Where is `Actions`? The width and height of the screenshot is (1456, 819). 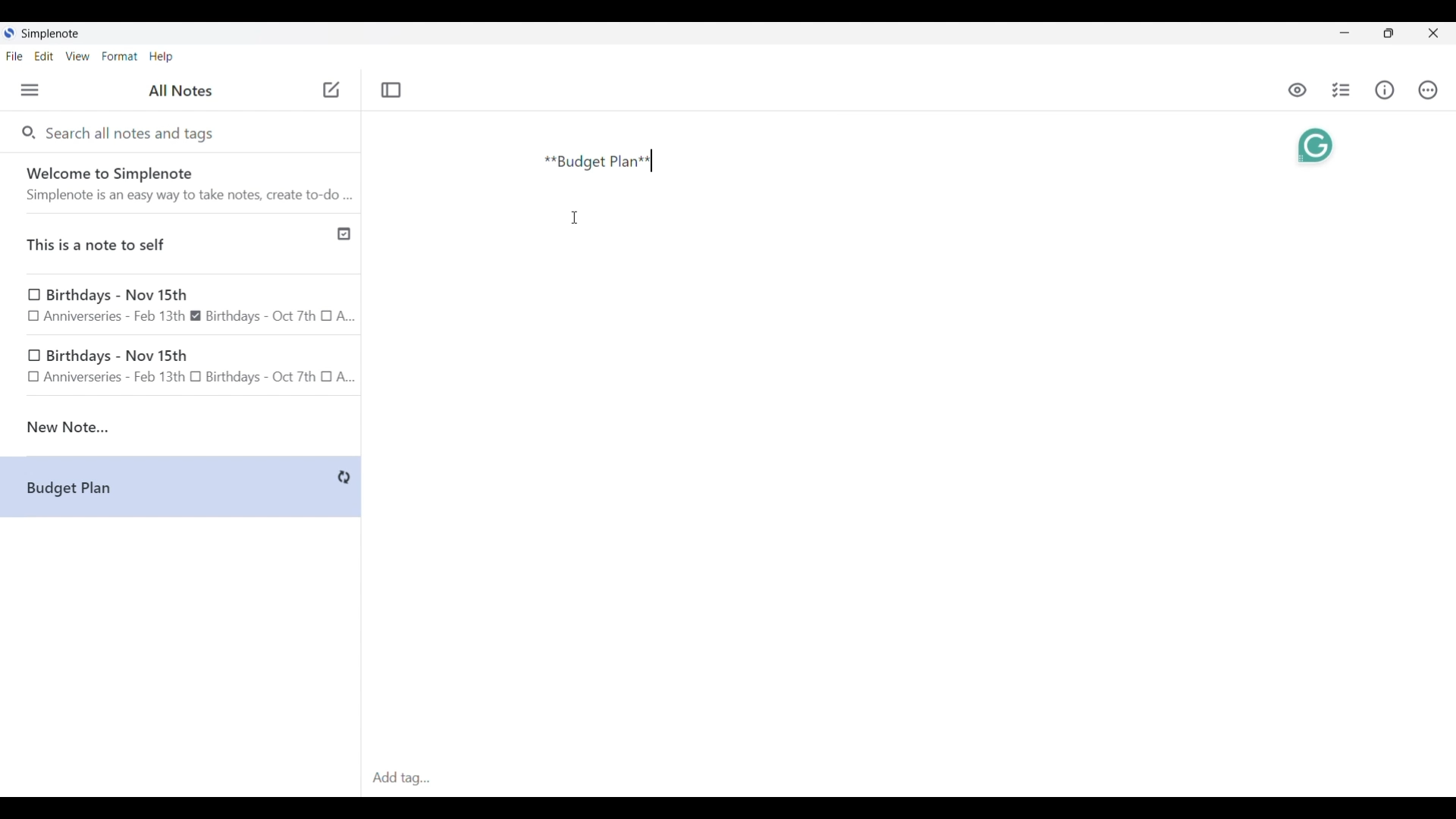
Actions is located at coordinates (1427, 90).